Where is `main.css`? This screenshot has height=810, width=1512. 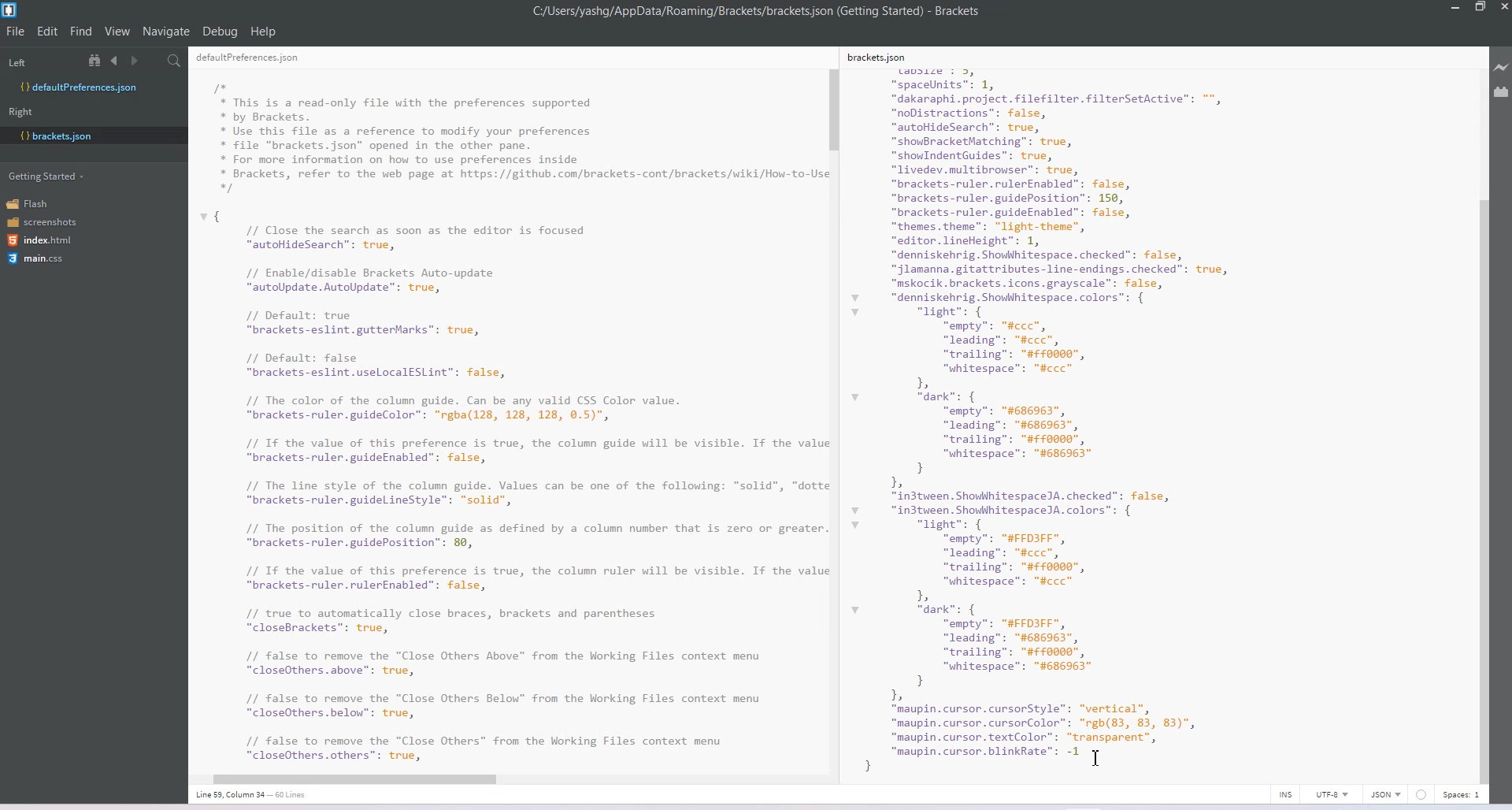
main.css is located at coordinates (35, 258).